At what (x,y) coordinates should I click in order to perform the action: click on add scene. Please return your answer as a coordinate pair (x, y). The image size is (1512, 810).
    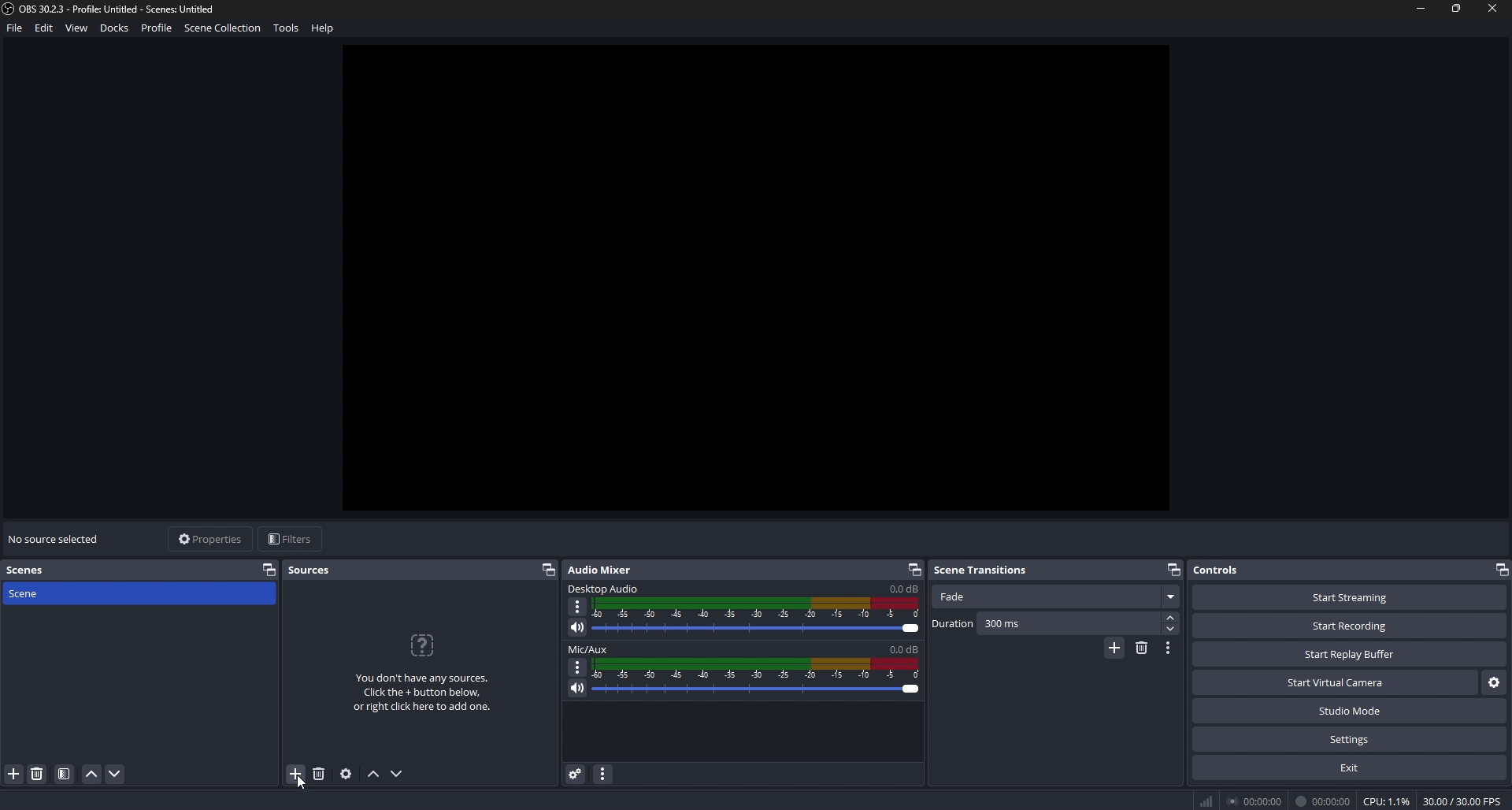
    Looking at the image, I should click on (14, 774).